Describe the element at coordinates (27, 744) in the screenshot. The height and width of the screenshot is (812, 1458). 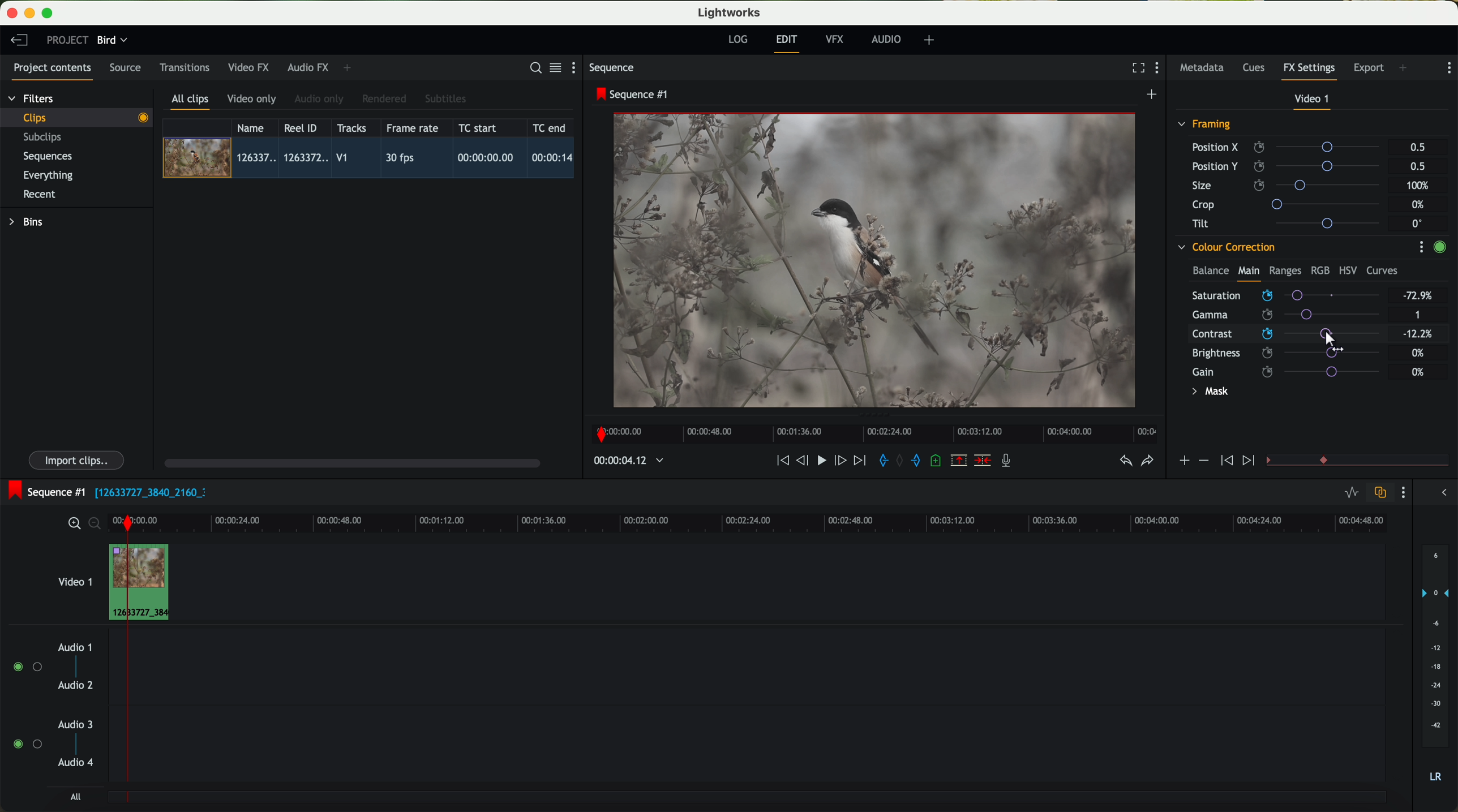
I see `enable audio` at that location.